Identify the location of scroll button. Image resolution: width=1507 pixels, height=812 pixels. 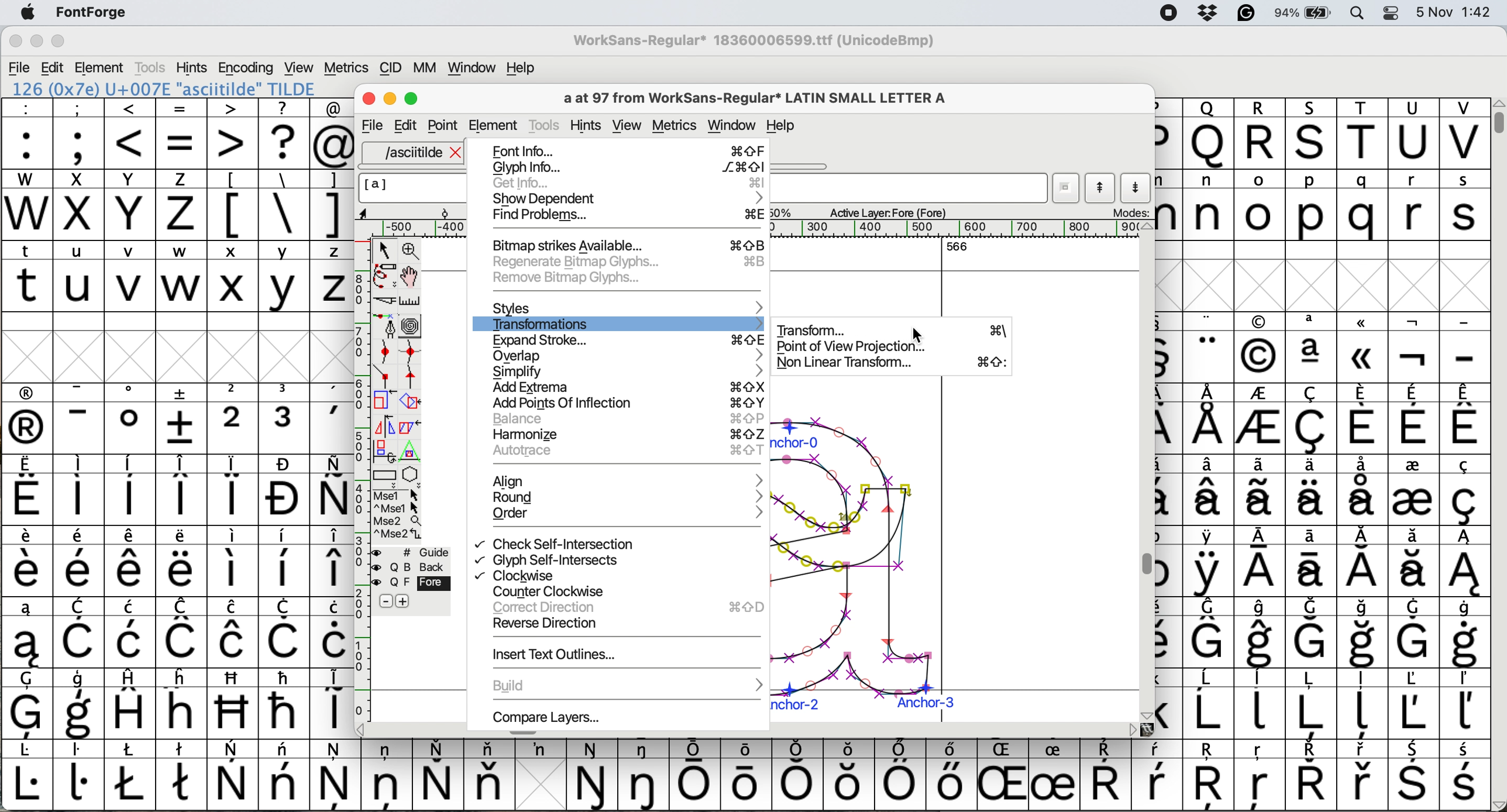
(362, 728).